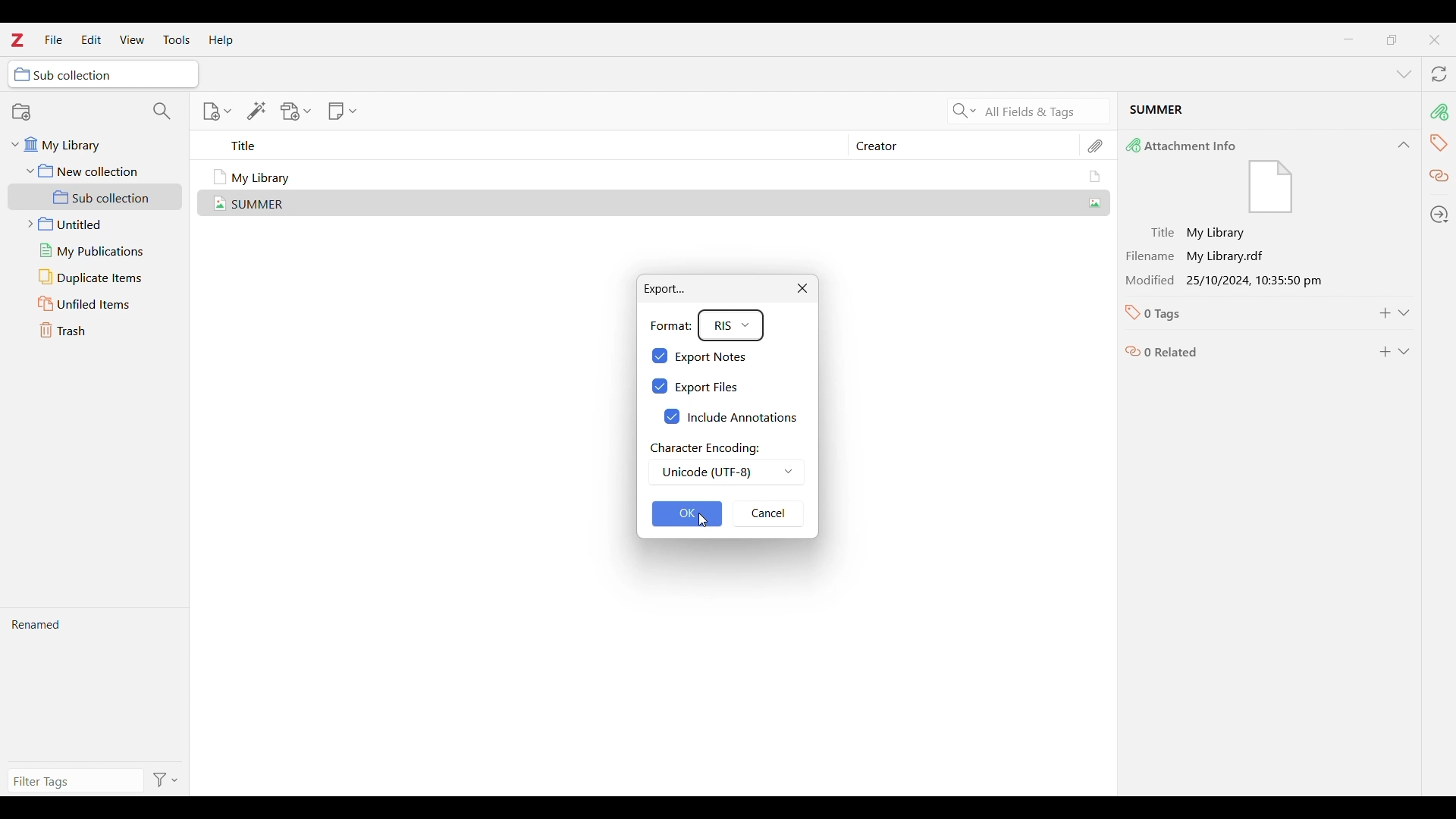 This screenshot has width=1456, height=819. I want to click on Export notes , so click(740, 356).